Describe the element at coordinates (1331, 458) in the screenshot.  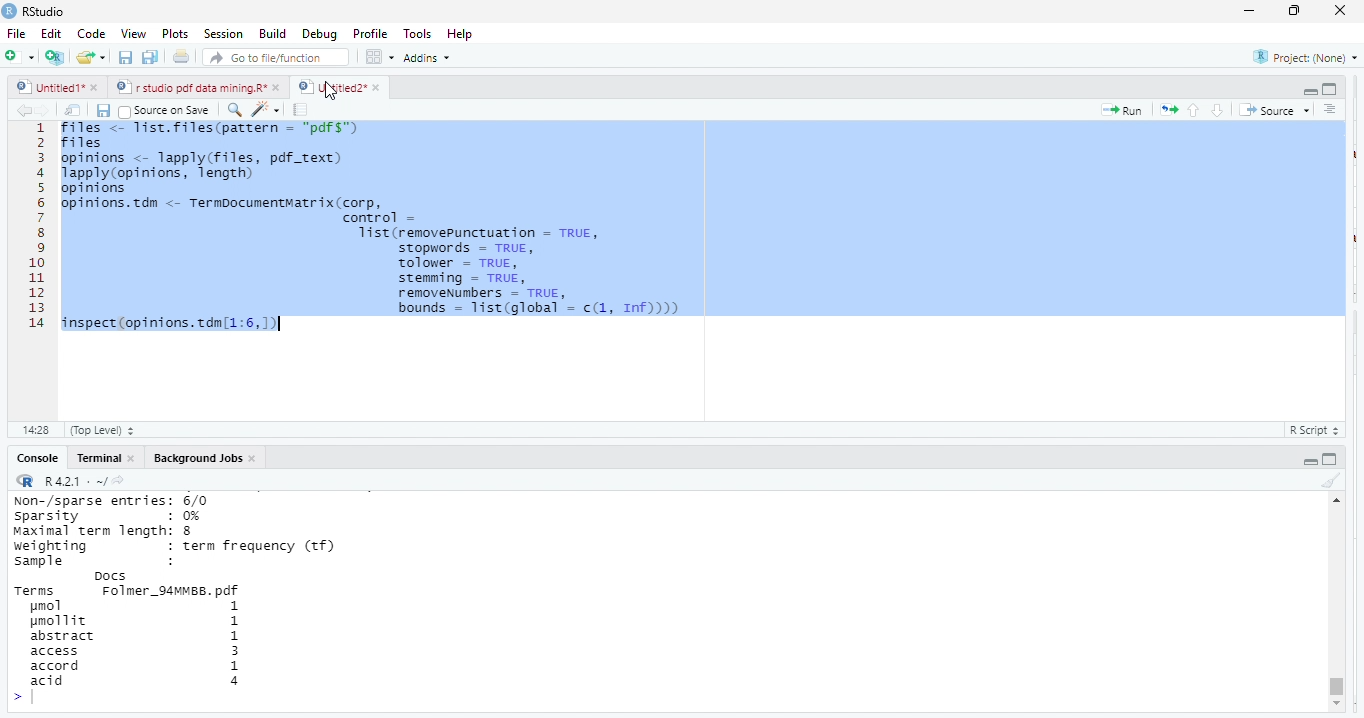
I see `hide console` at that location.